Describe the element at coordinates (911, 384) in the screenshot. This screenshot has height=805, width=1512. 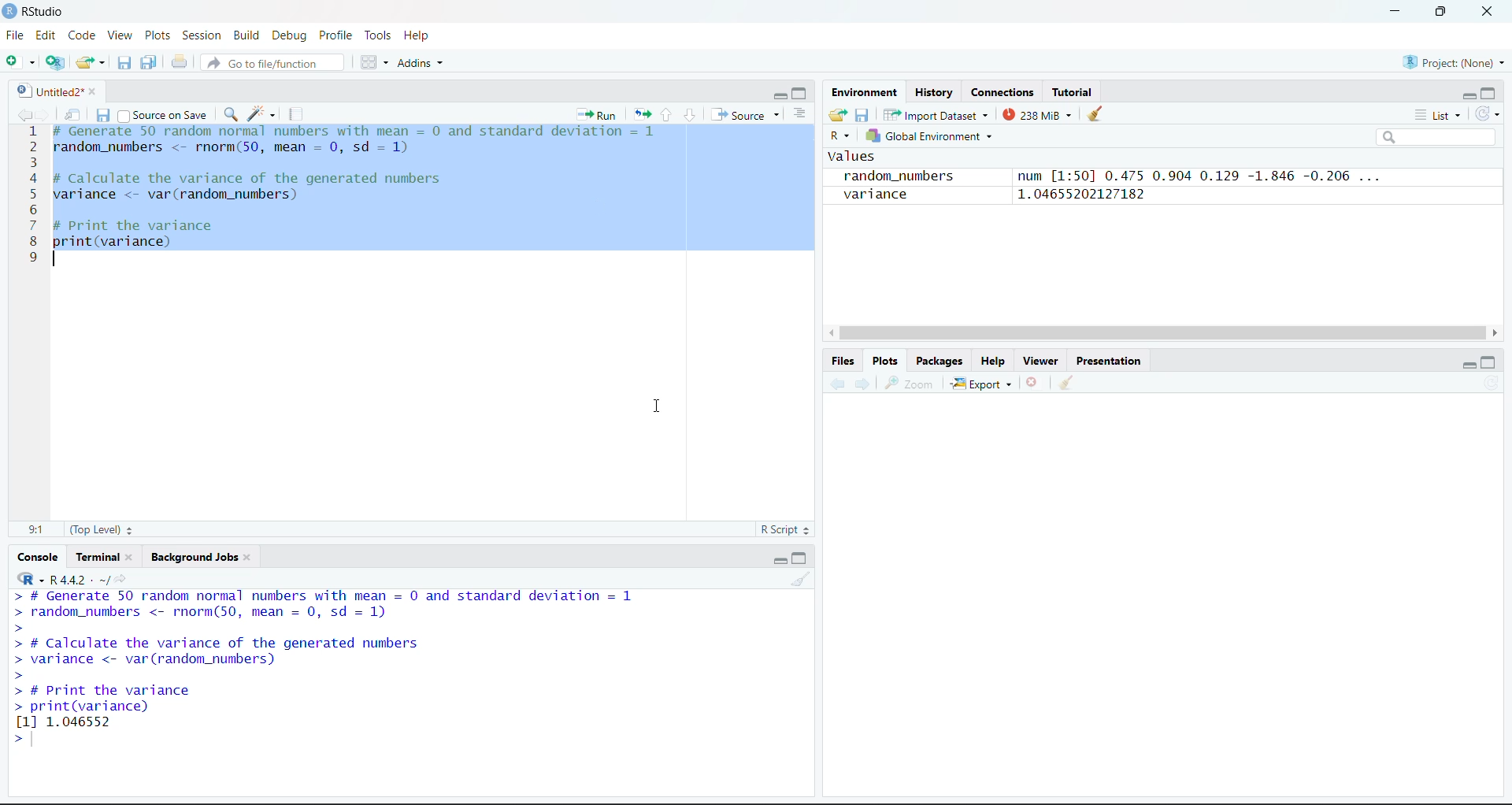
I see `Zoom` at that location.